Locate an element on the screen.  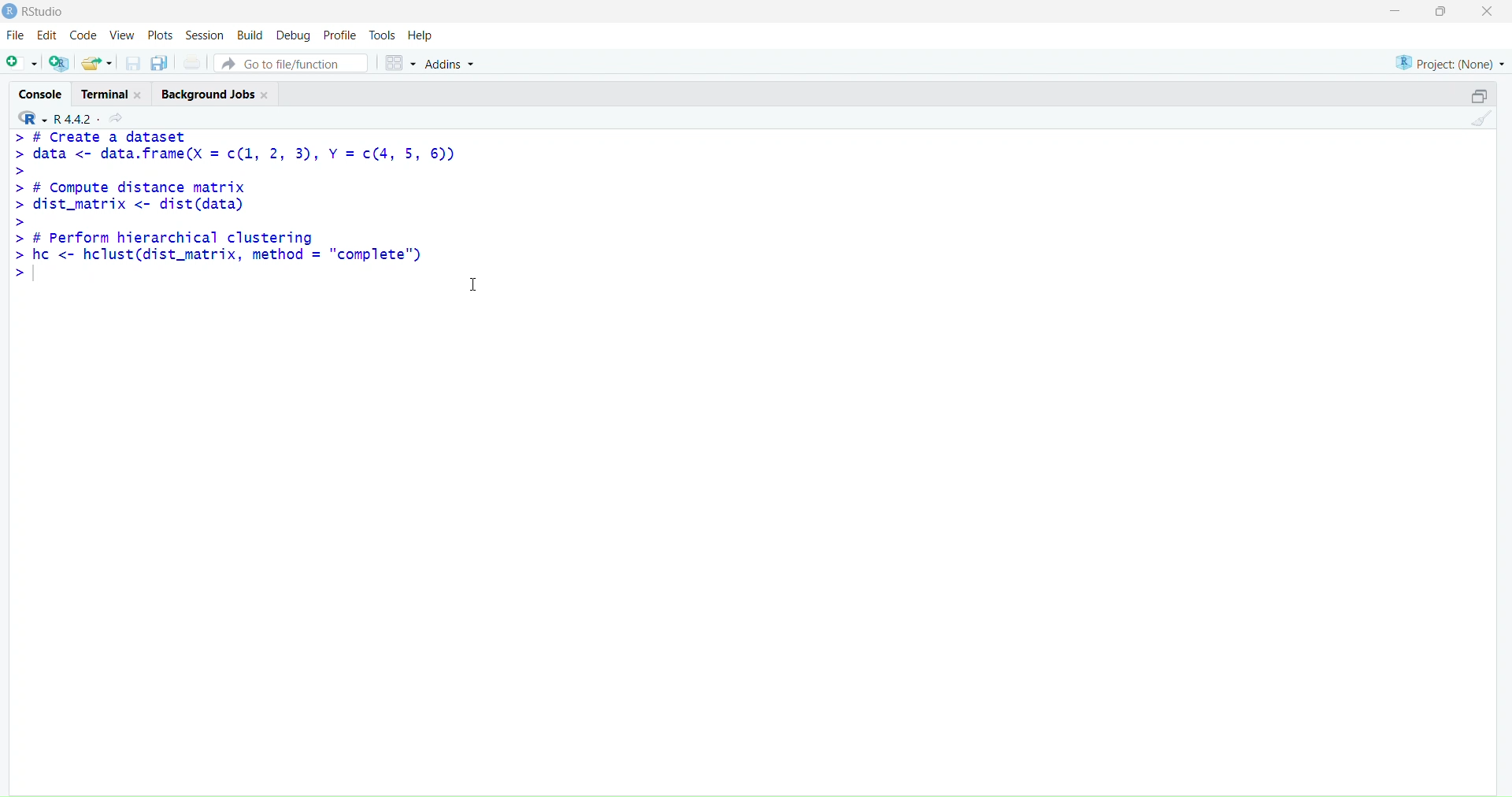
Clear Console (Ctrl + L) is located at coordinates (1480, 119).